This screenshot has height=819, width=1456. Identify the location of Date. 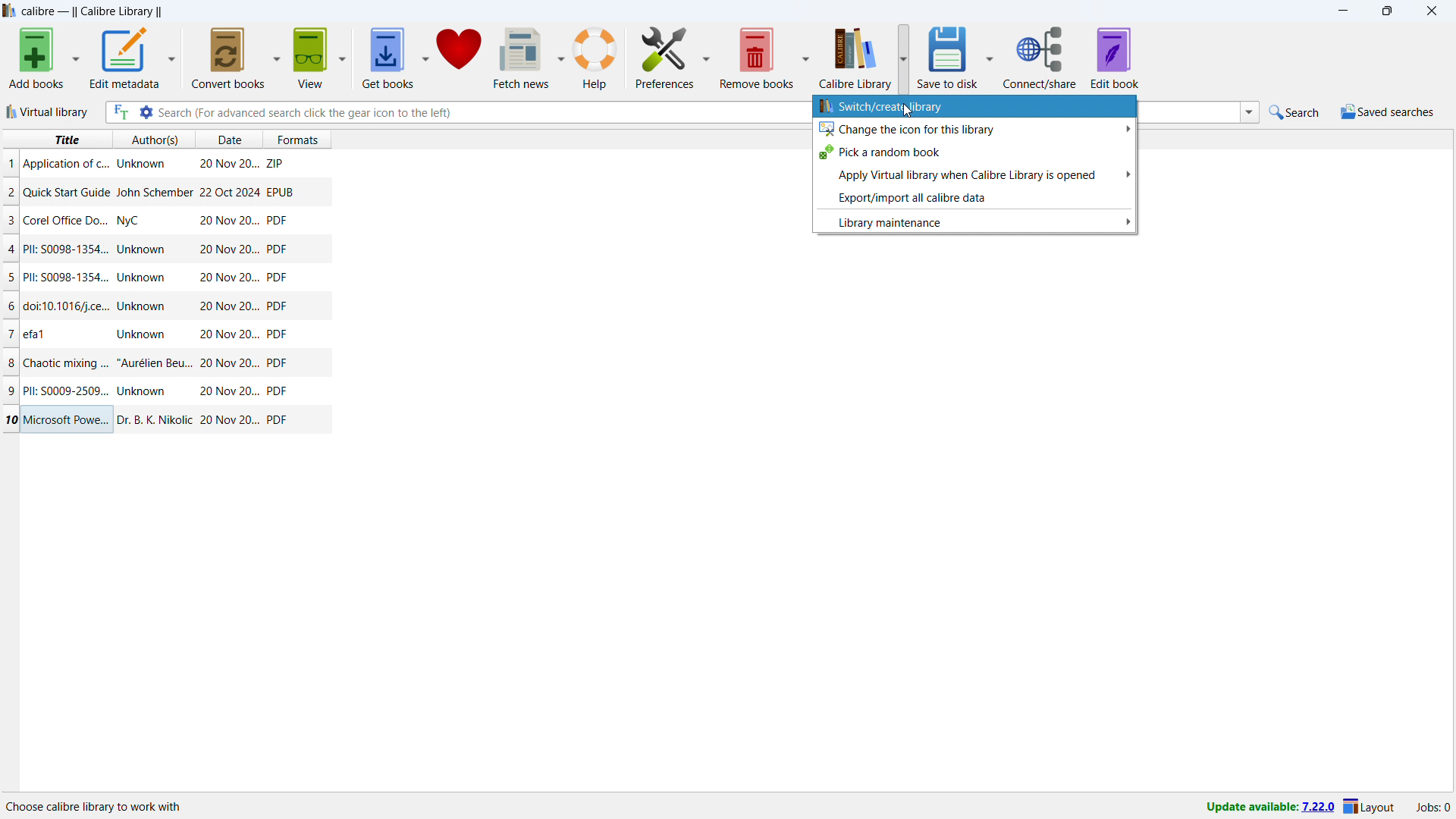
(227, 192).